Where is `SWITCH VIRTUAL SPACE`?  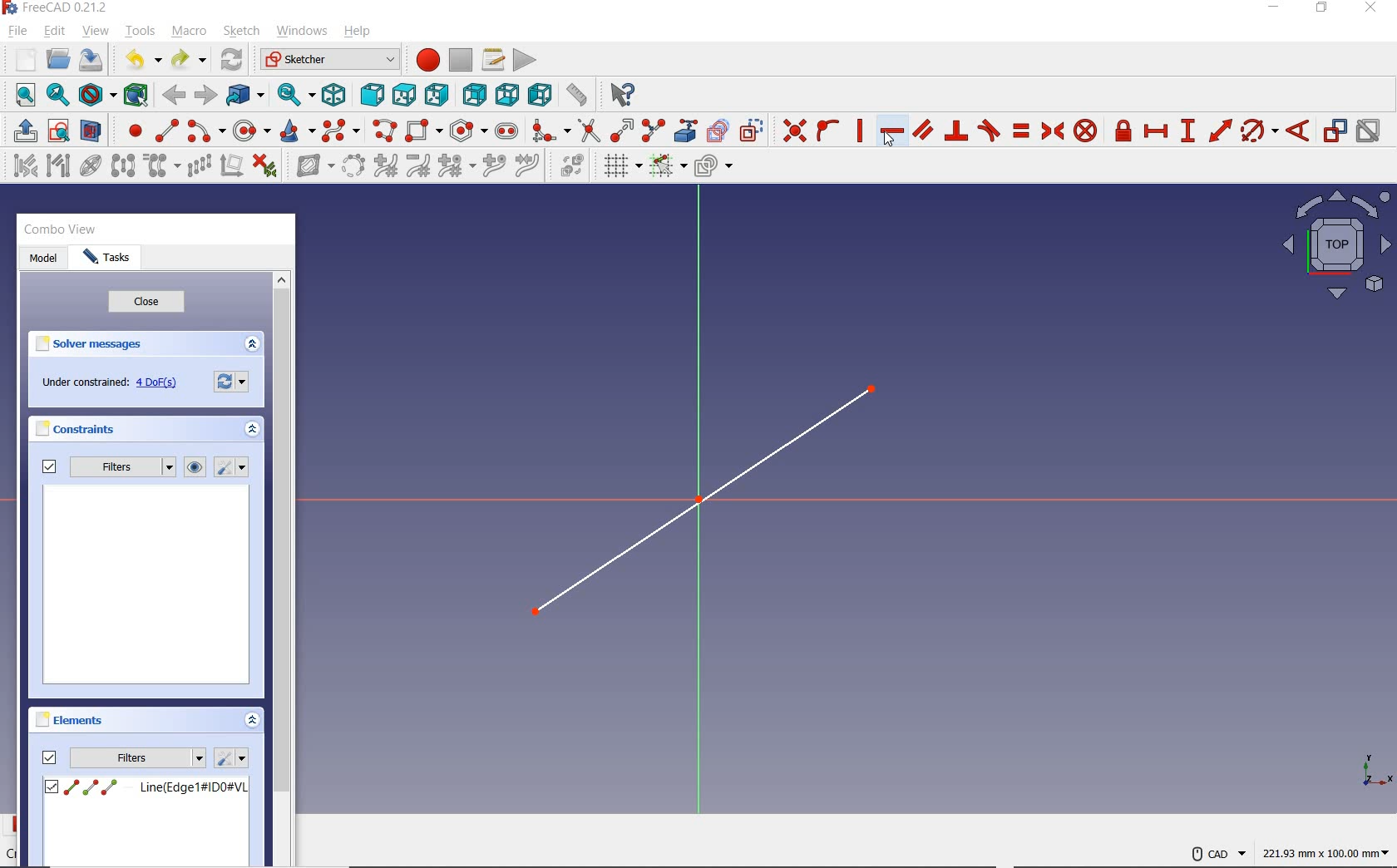 SWITCH VIRTUAL SPACE is located at coordinates (572, 165).